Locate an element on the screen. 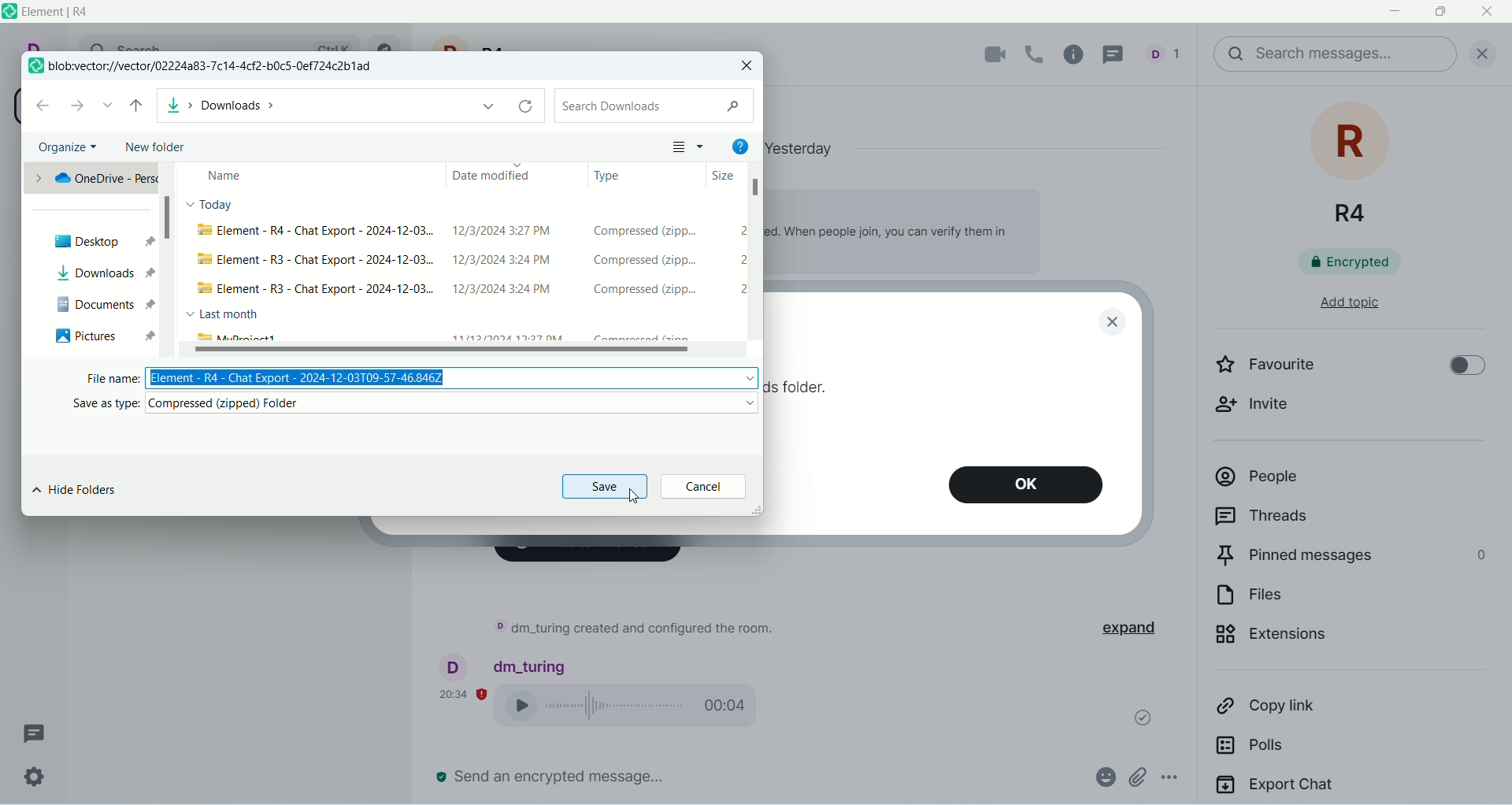 The width and height of the screenshot is (1512, 805). message sent is located at coordinates (1136, 714).